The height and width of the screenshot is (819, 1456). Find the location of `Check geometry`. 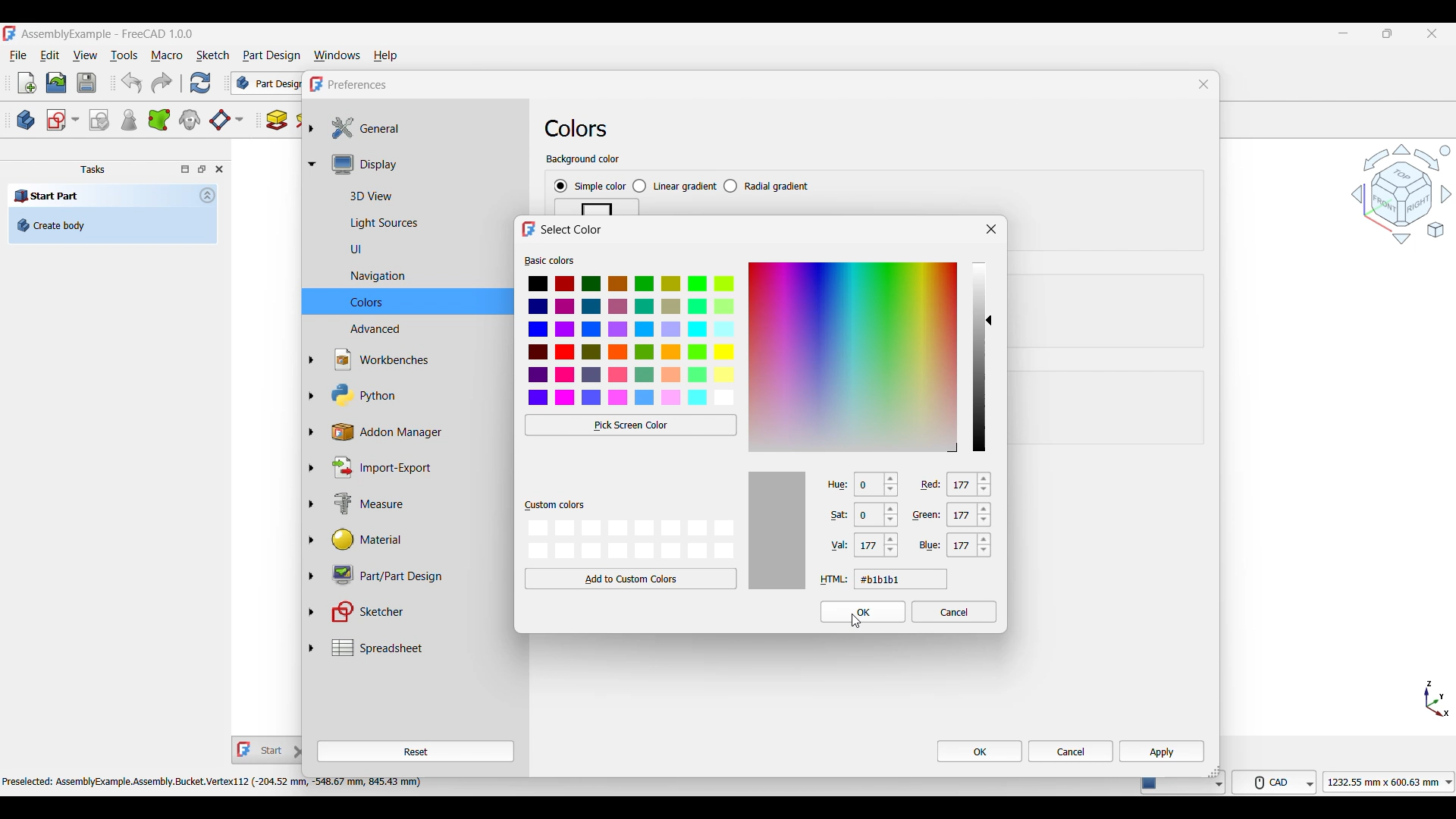

Check geometry is located at coordinates (128, 120).